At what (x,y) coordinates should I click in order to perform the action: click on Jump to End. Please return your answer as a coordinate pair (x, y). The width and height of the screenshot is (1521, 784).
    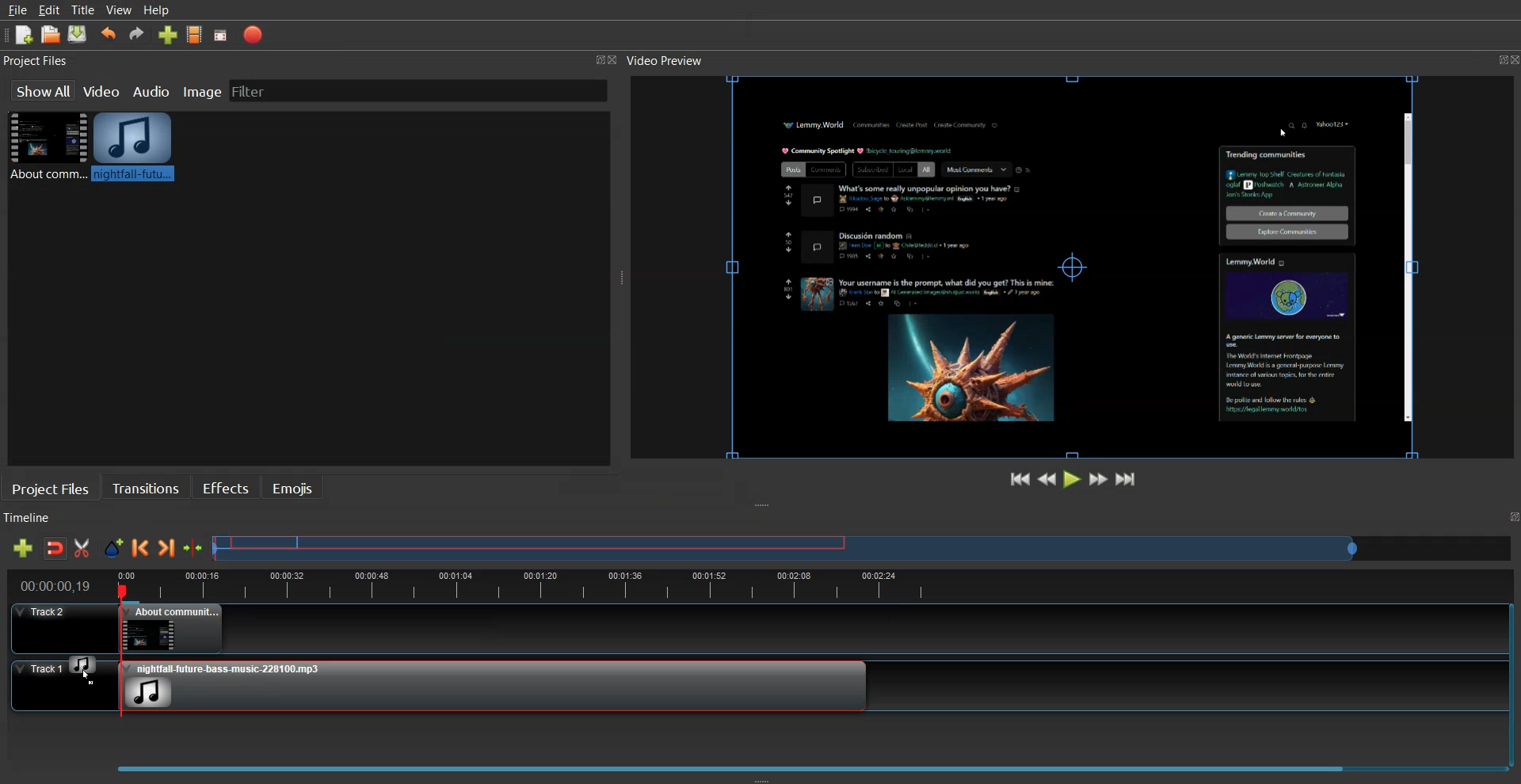
    Looking at the image, I should click on (1126, 478).